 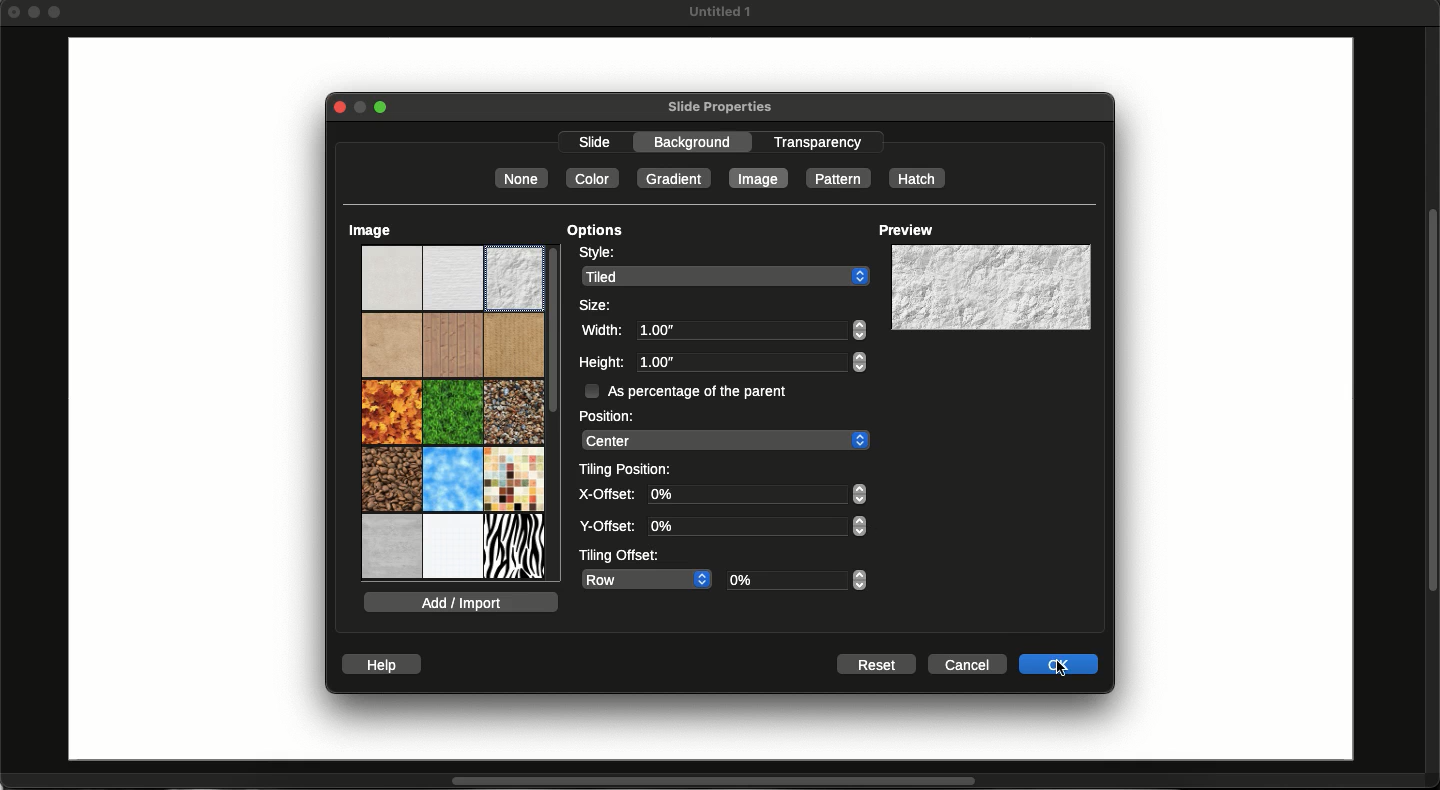 What do you see at coordinates (37, 12) in the screenshot?
I see `Minimize` at bounding box center [37, 12].